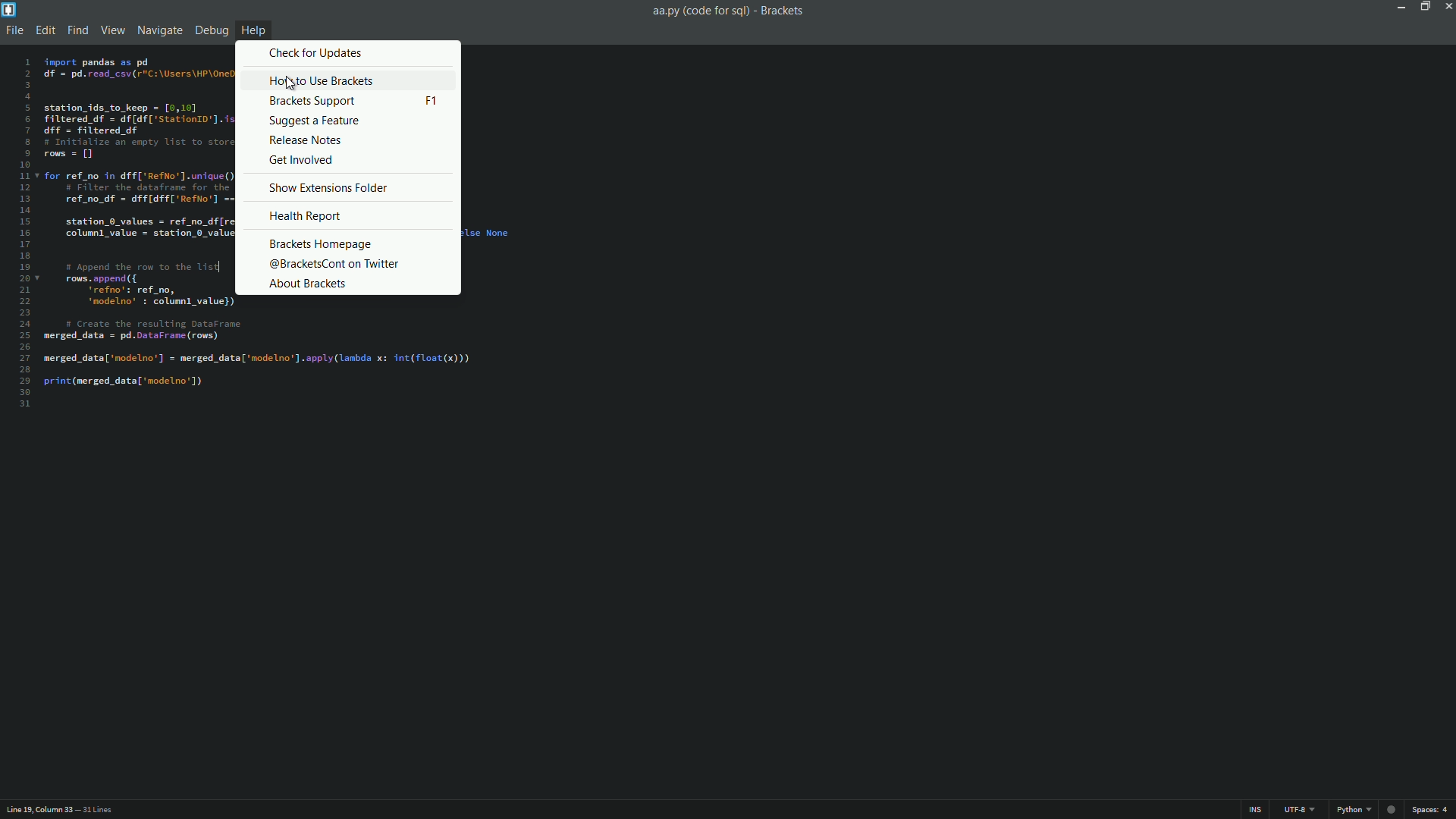 The width and height of the screenshot is (1456, 819). Describe the element at coordinates (312, 101) in the screenshot. I see `brackets support` at that location.